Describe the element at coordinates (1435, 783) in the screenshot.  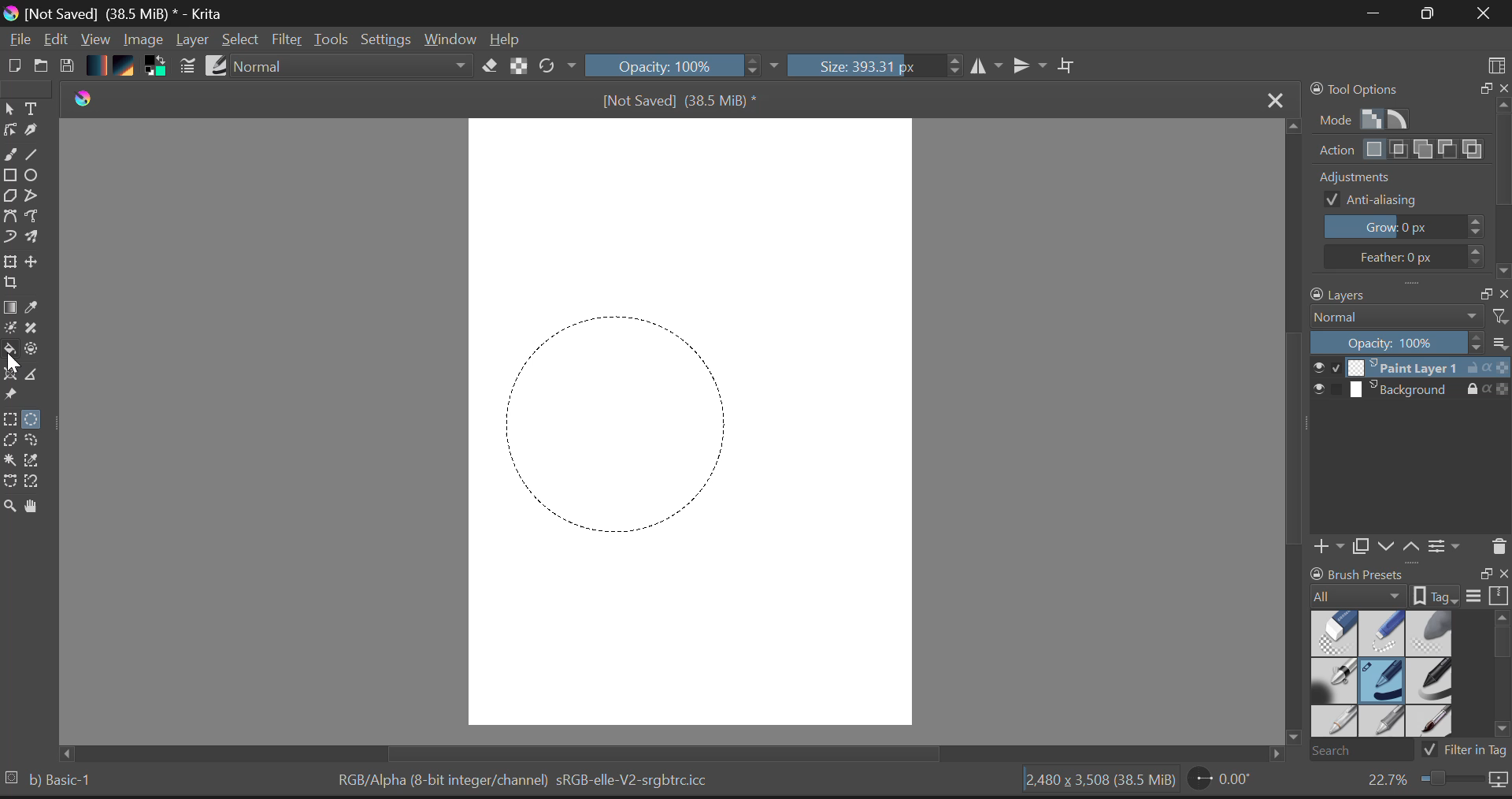
I see `Zoom` at that location.